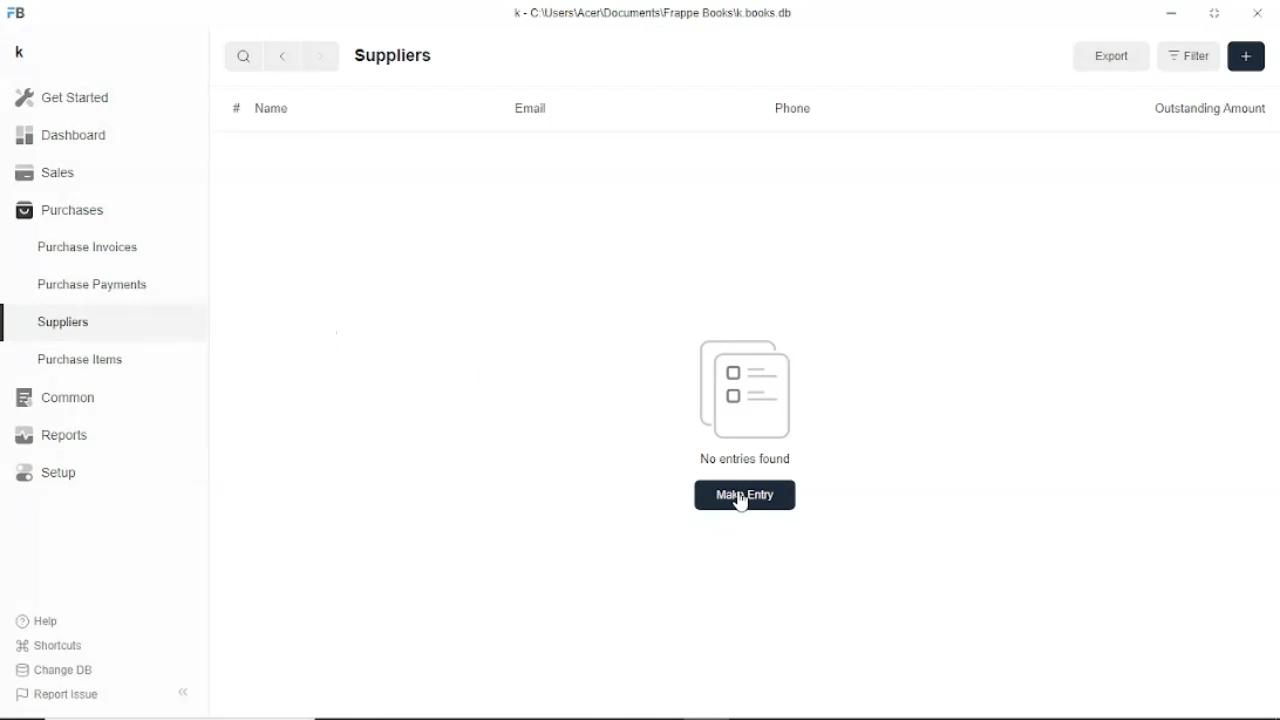  I want to click on Make entry, so click(746, 495).